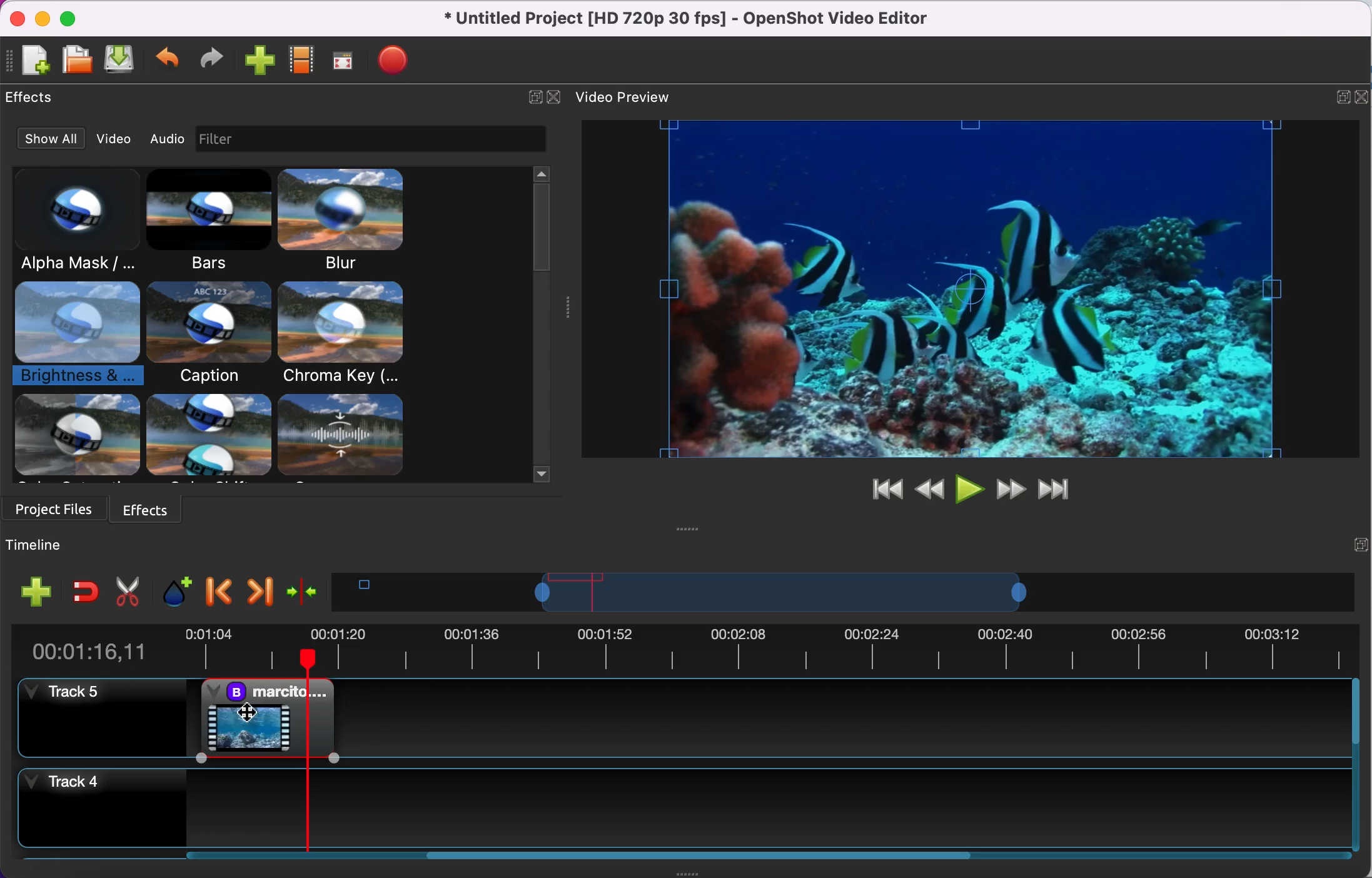 The height and width of the screenshot is (878, 1372). Describe the element at coordinates (85, 590) in the screenshot. I see `enable snapping` at that location.